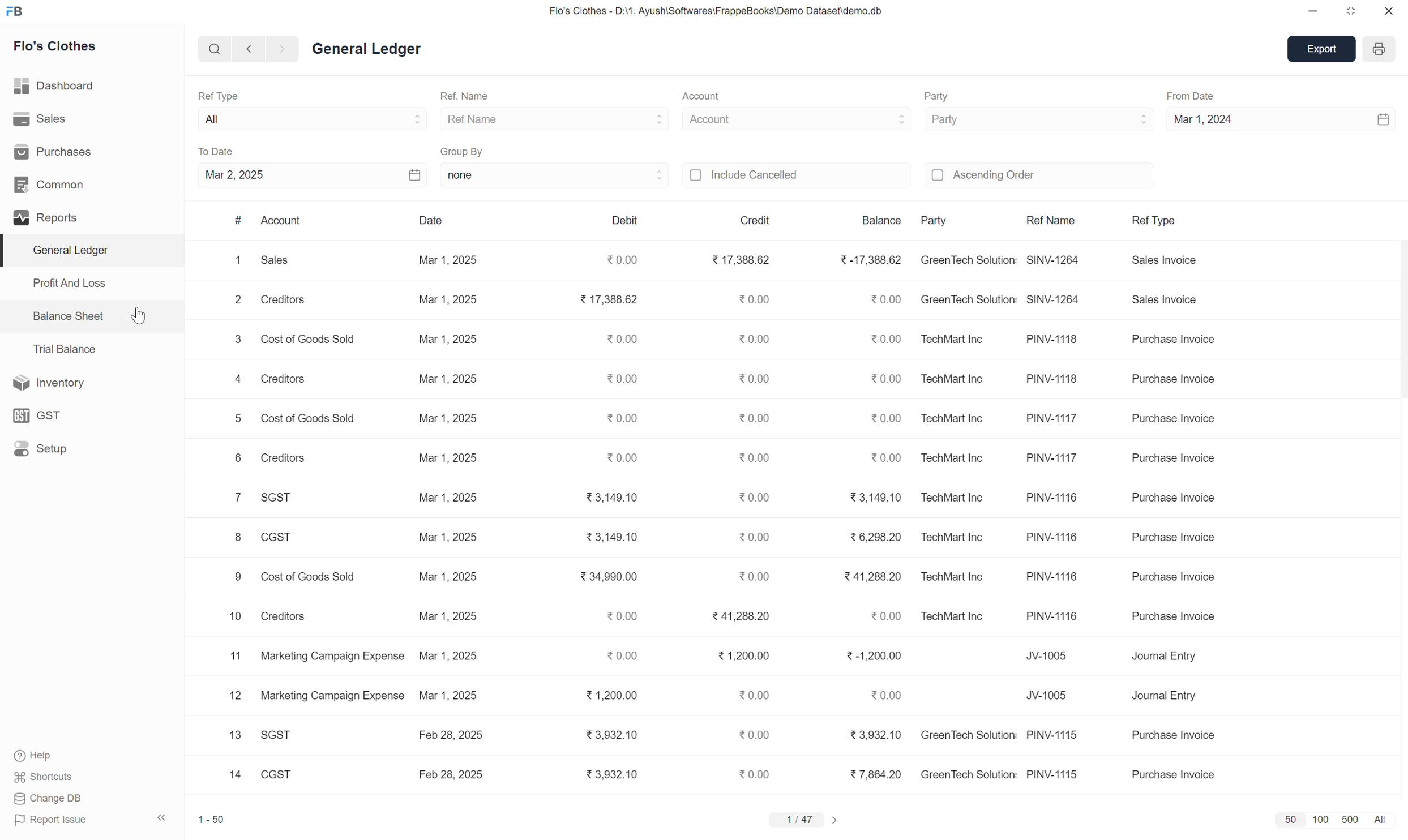 Image resolution: width=1408 pixels, height=840 pixels. What do you see at coordinates (286, 302) in the screenshot?
I see `creditors` at bounding box center [286, 302].